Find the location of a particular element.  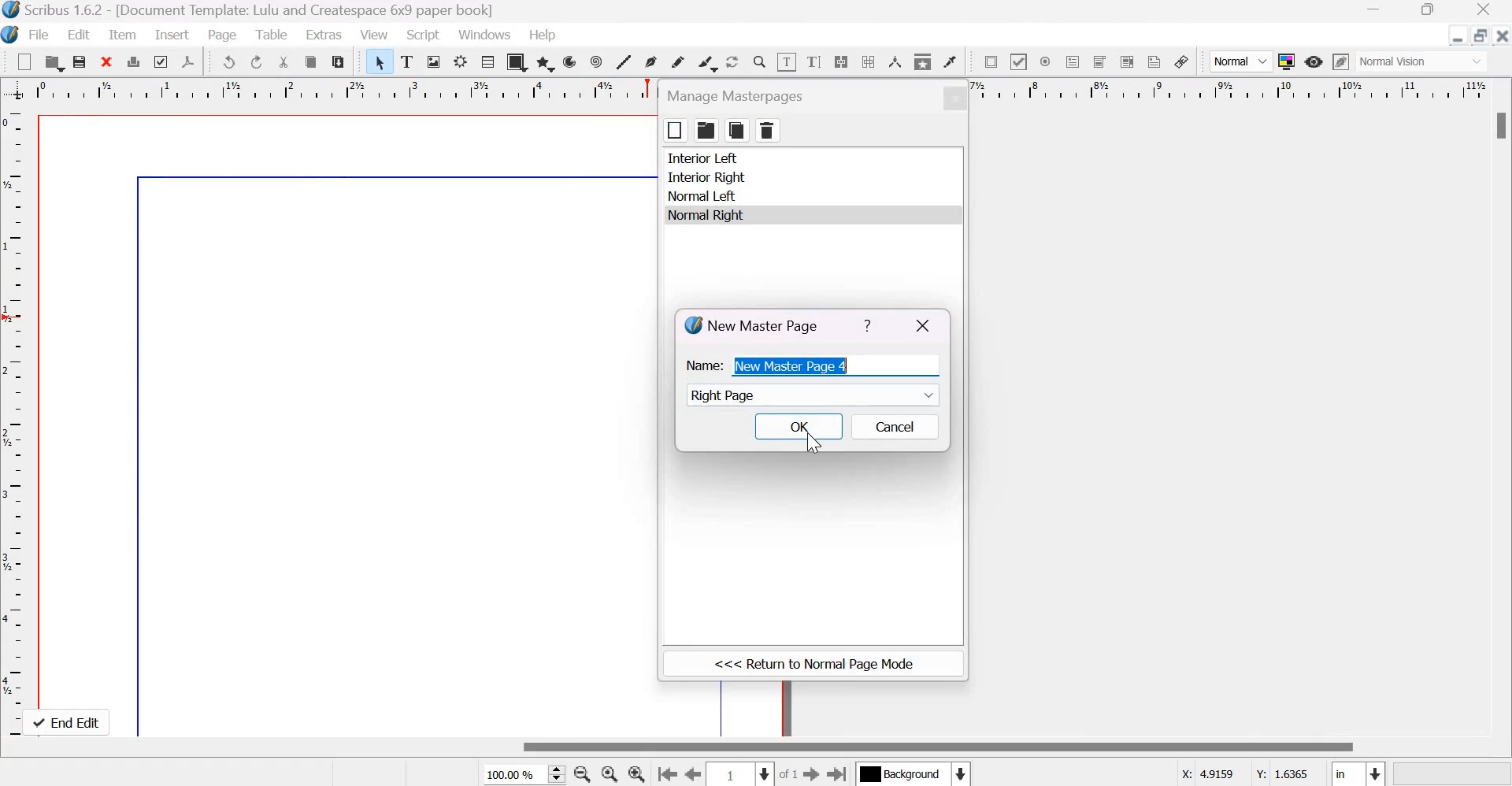

Scrollbar is located at coordinates (939, 747).